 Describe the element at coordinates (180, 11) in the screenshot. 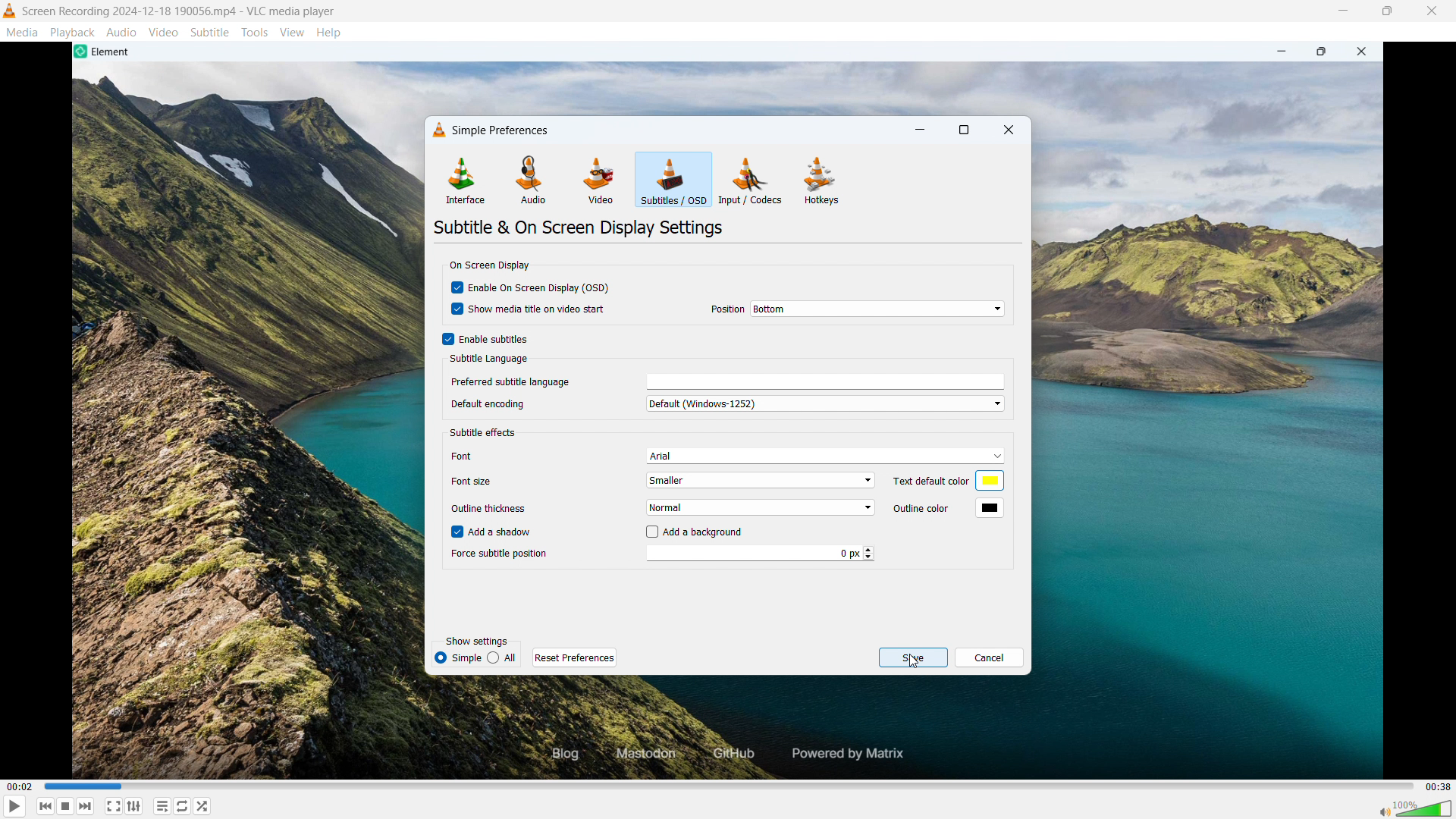

I see `File name ` at that location.